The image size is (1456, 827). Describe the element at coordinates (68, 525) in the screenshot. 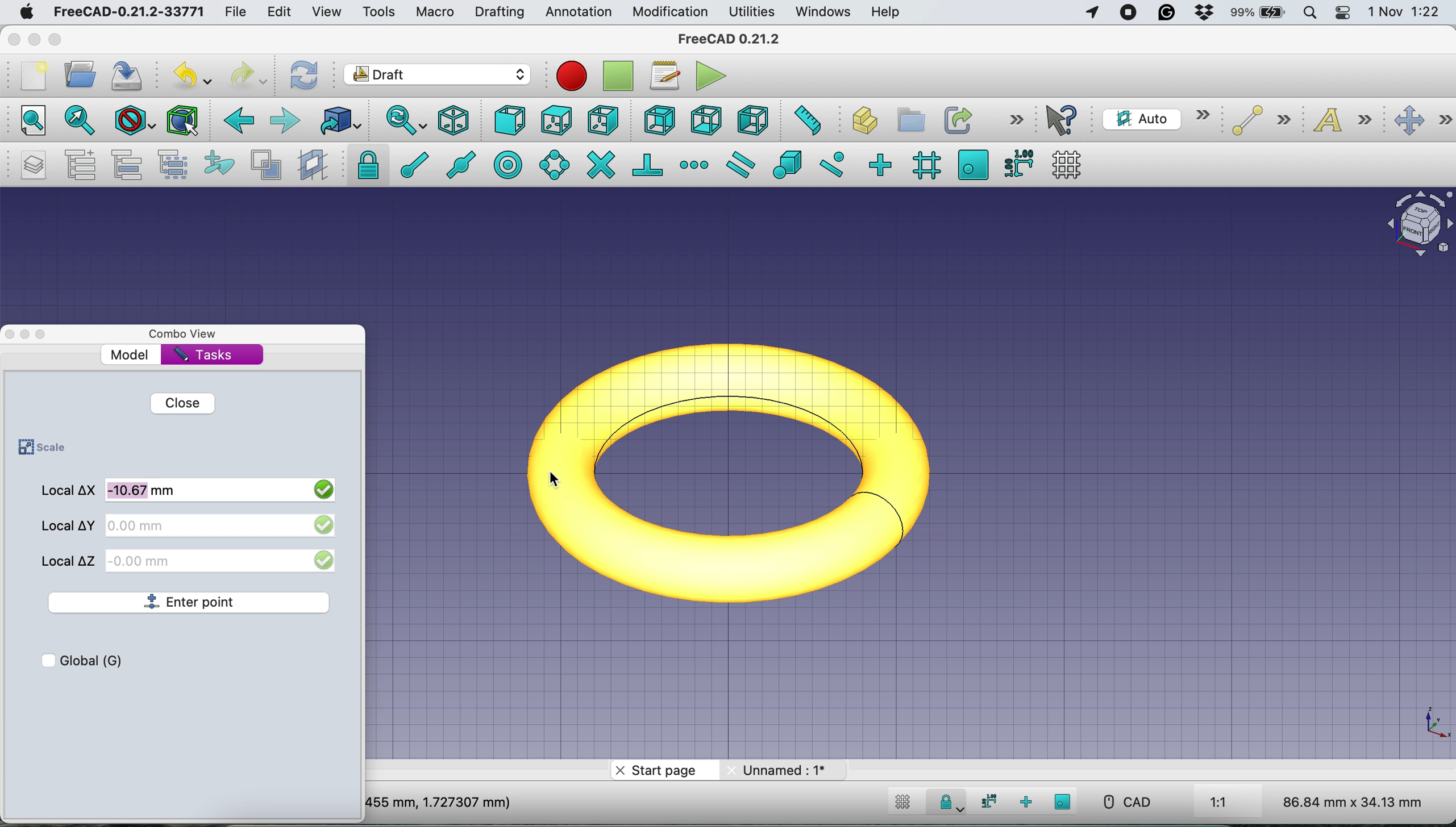

I see `local ΔY` at that location.